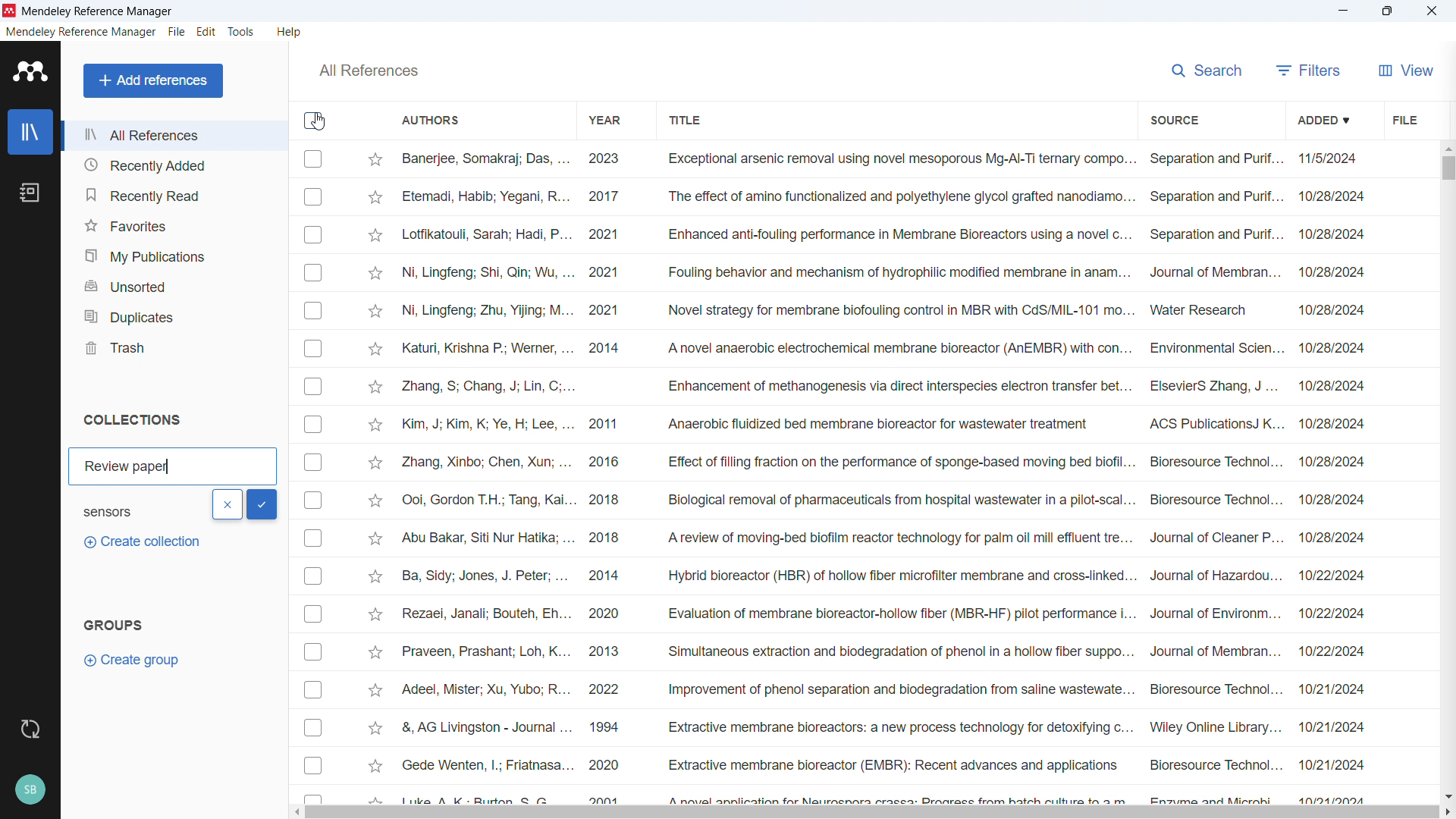  I want to click on Select respective publication, so click(313, 273).